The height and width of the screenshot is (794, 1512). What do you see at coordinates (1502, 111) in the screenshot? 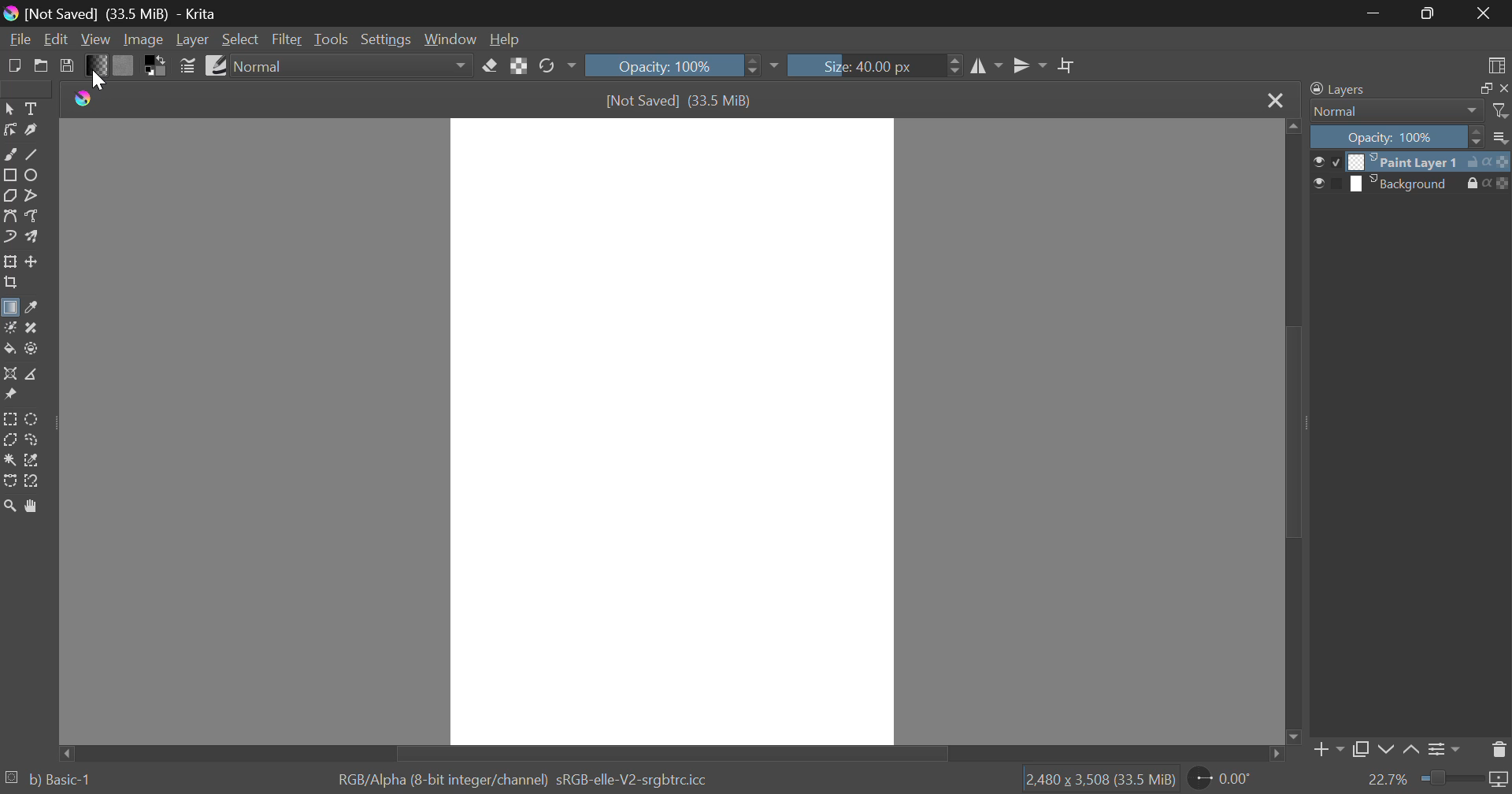
I see `filter` at bounding box center [1502, 111].